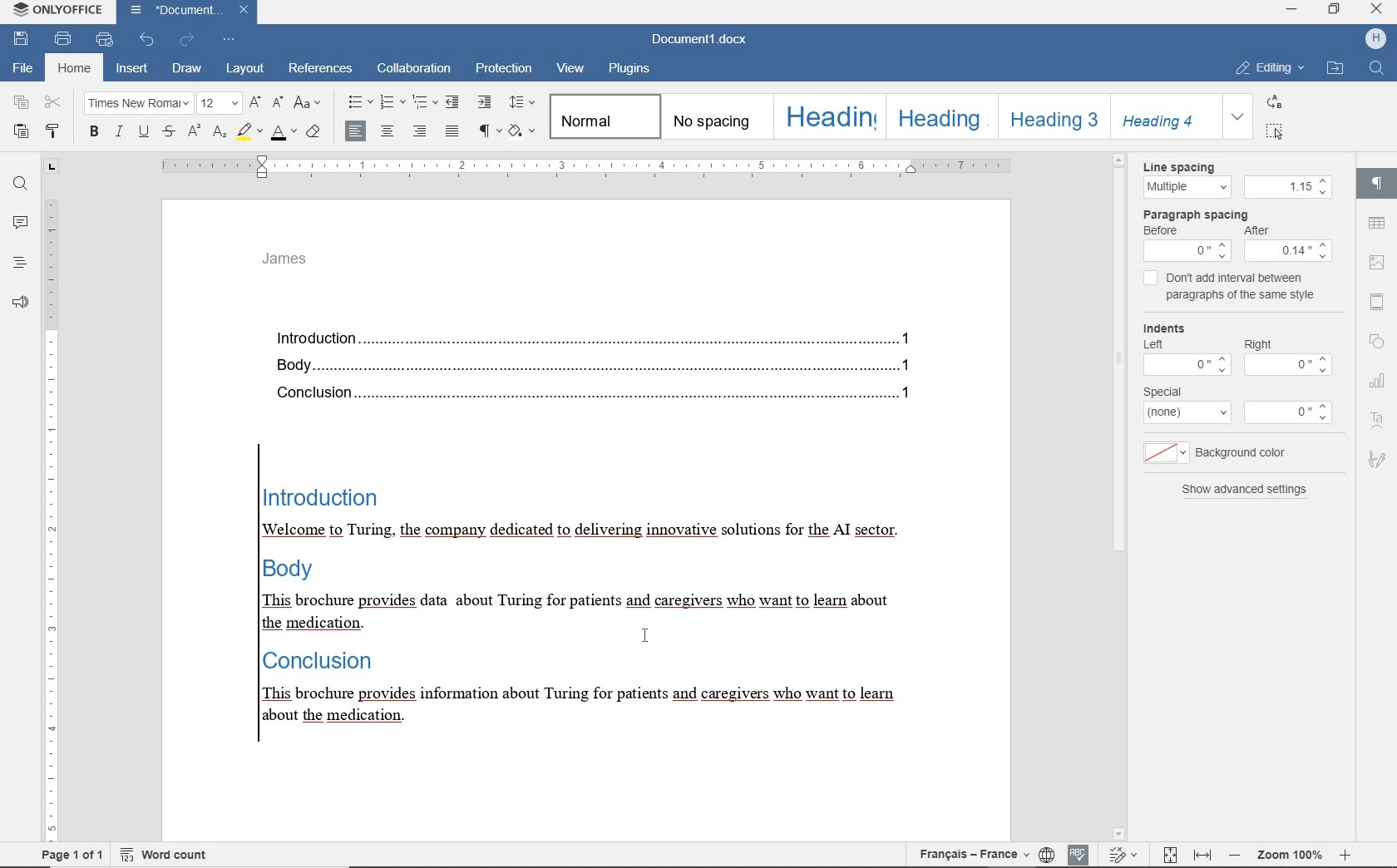 Image resolution: width=1397 pixels, height=868 pixels. Describe the element at coordinates (1172, 327) in the screenshot. I see `indents` at that location.